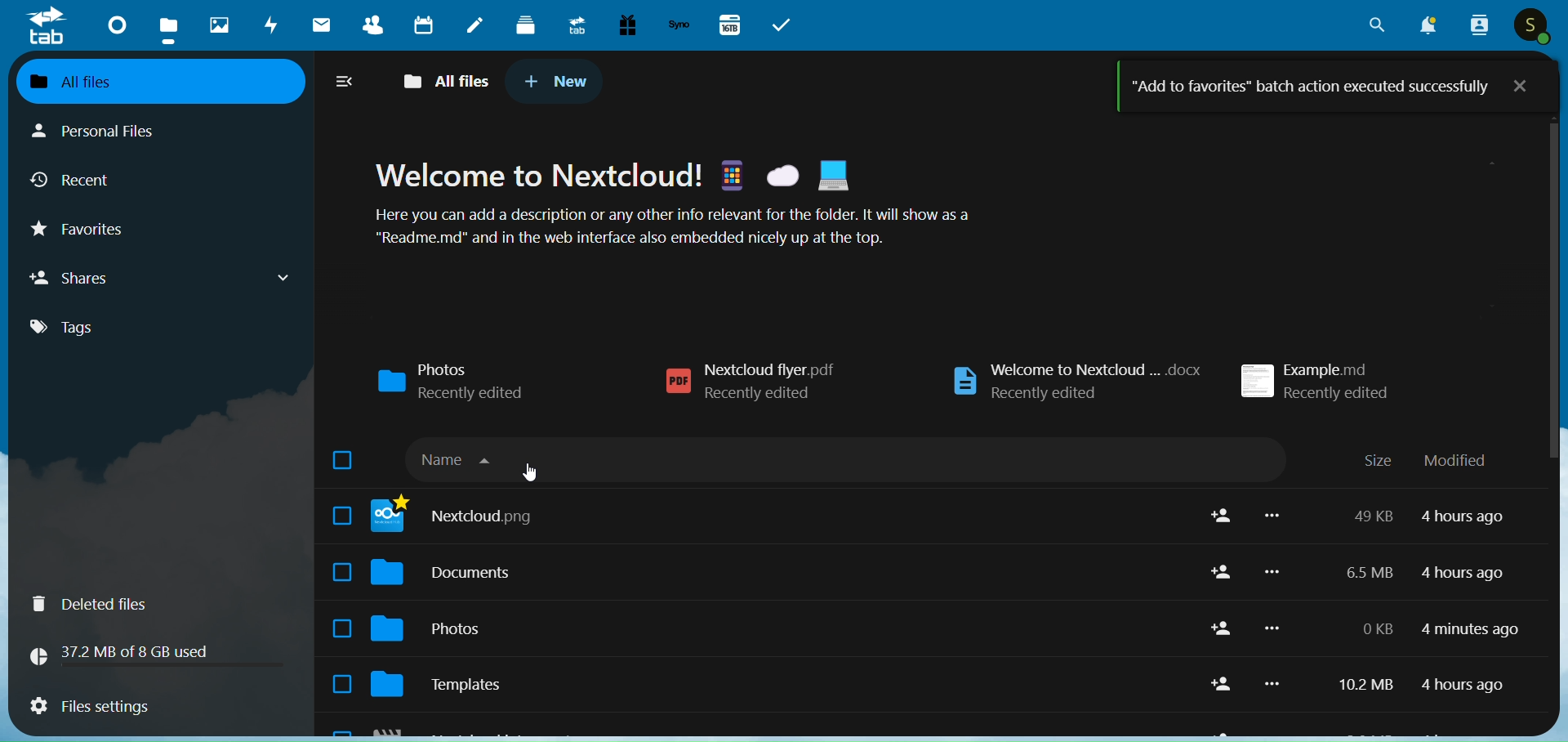 This screenshot has height=742, width=1568. Describe the element at coordinates (1456, 461) in the screenshot. I see `modified` at that location.